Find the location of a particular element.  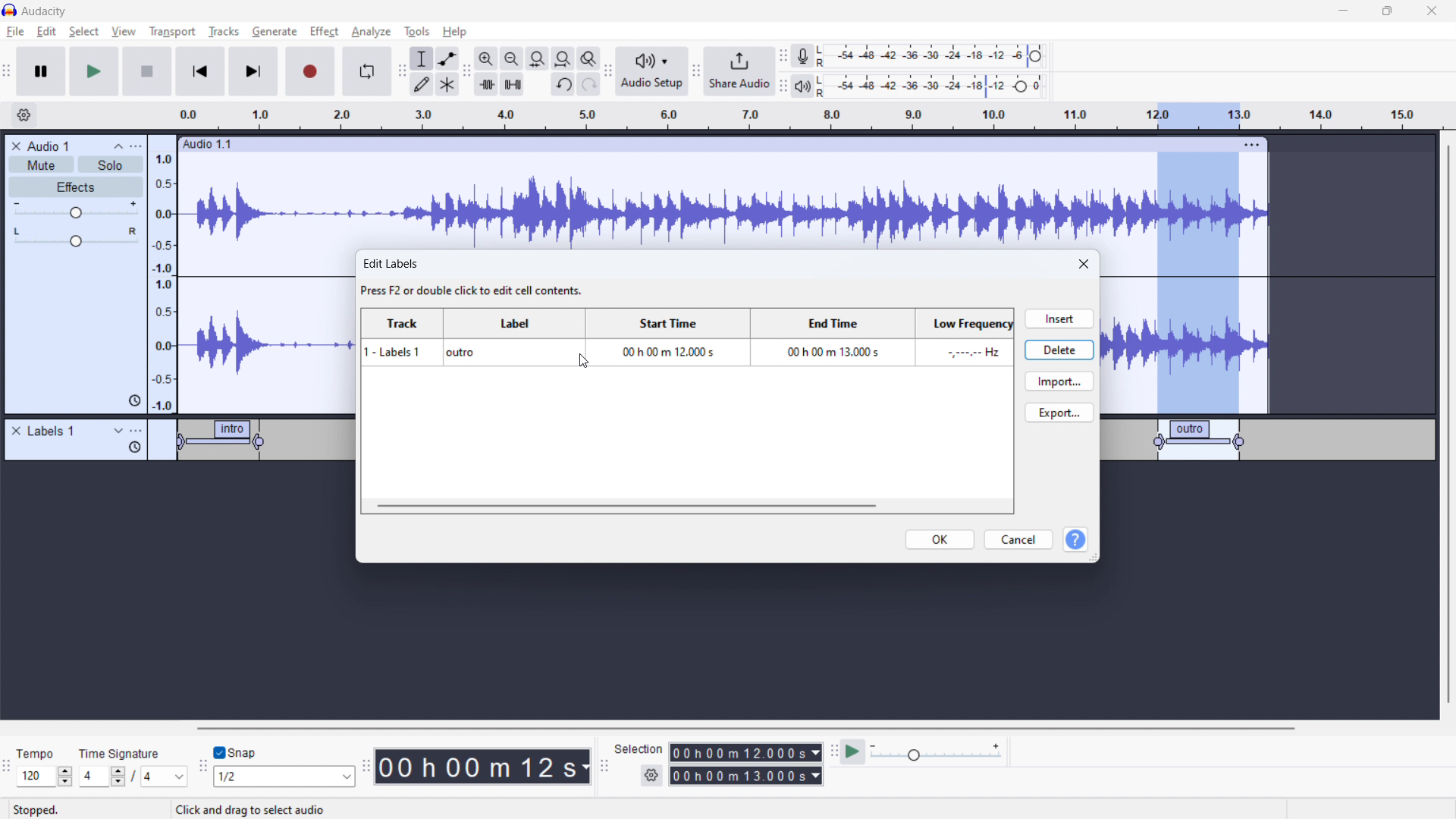

labels is located at coordinates (52, 431).